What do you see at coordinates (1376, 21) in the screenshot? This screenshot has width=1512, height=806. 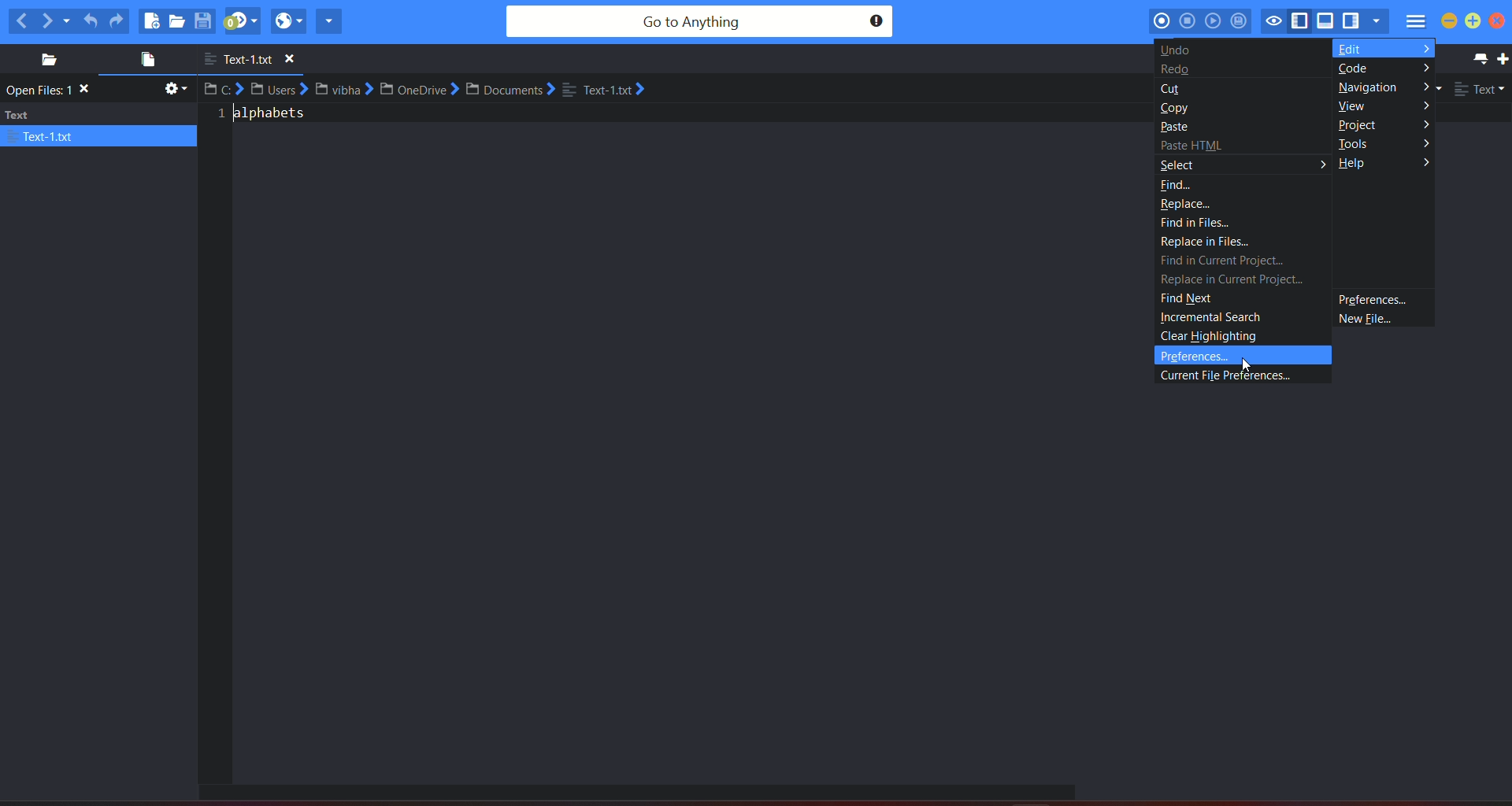 I see `show specific sidebar` at bounding box center [1376, 21].